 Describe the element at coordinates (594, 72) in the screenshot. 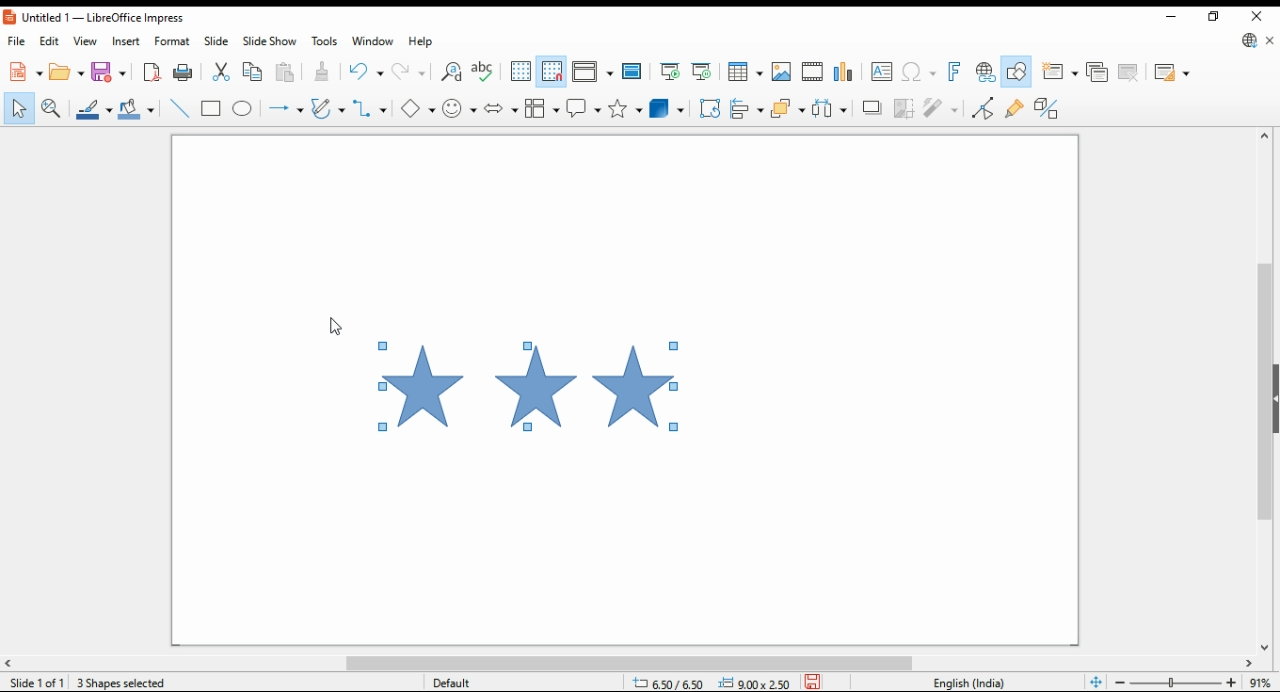

I see `display view` at that location.